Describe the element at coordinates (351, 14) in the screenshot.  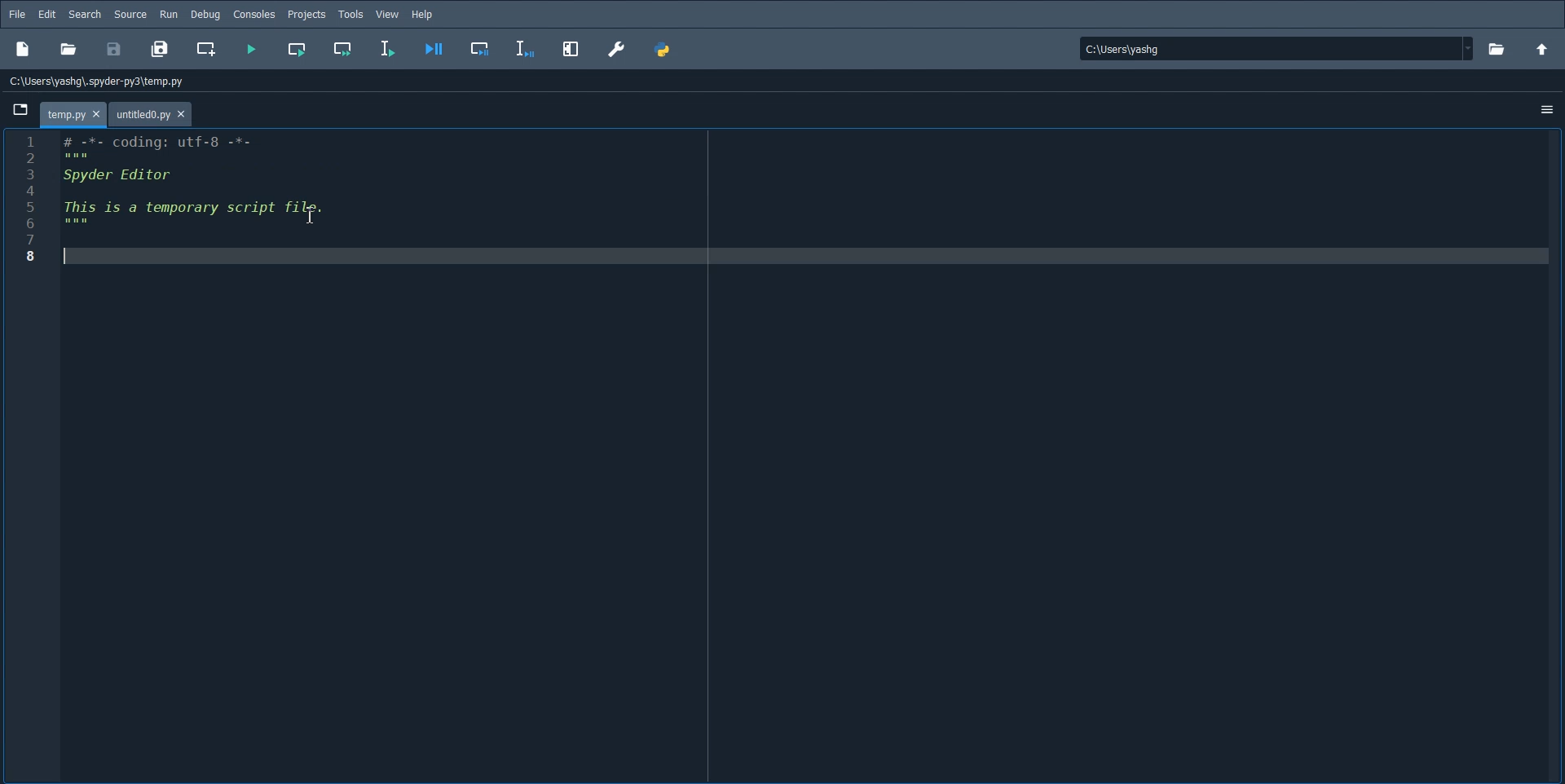
I see `Tools` at that location.